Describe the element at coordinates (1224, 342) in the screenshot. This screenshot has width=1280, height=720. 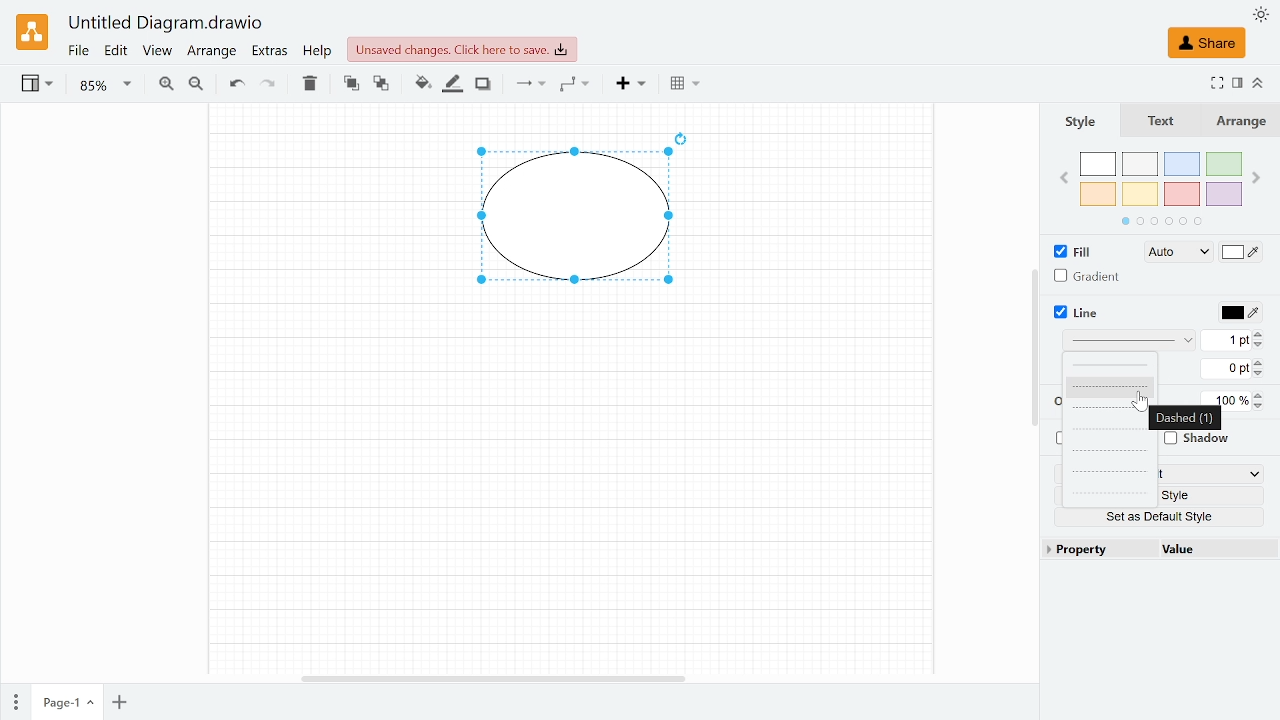
I see `Current line width` at that location.